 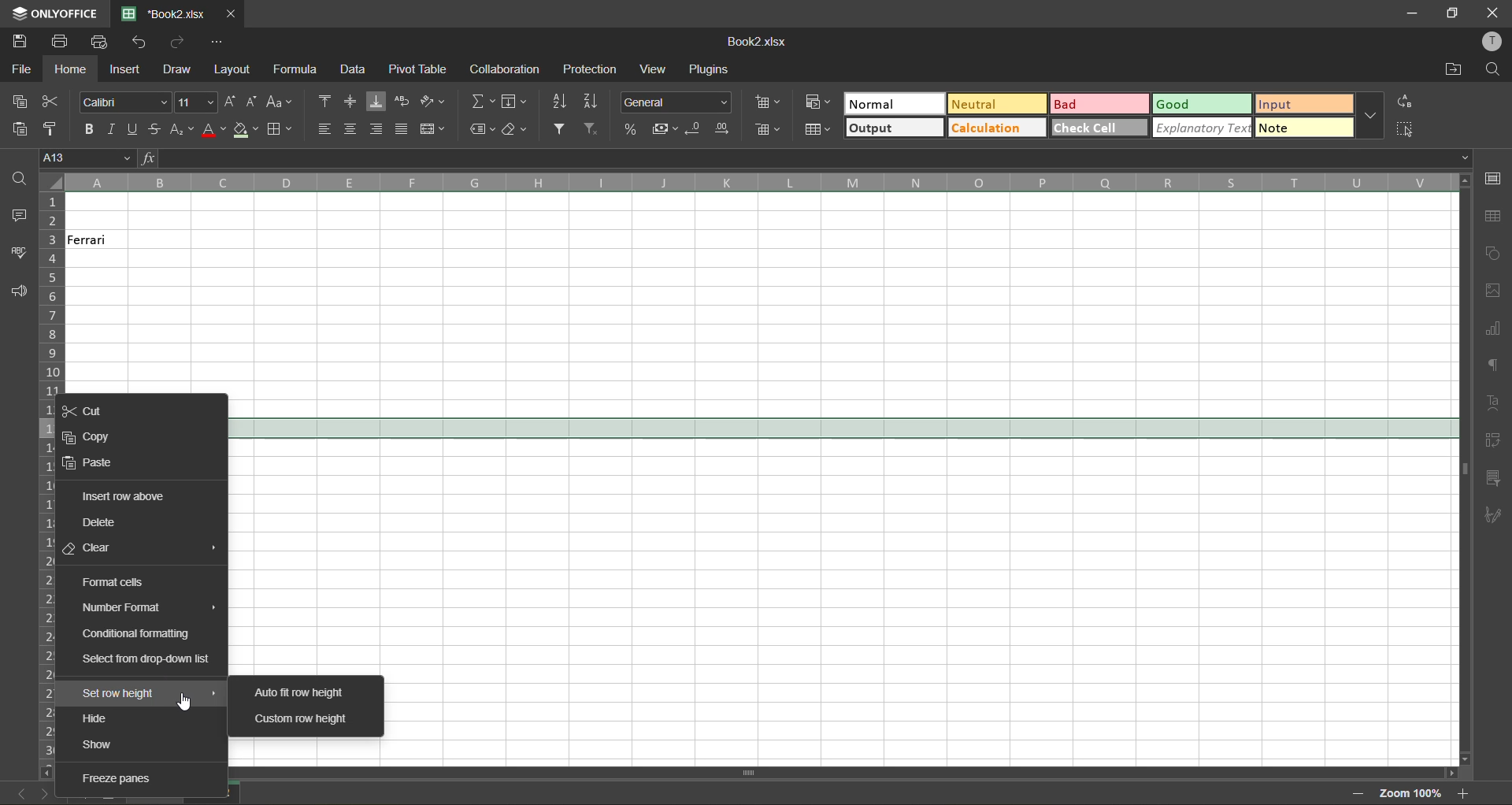 What do you see at coordinates (16, 217) in the screenshot?
I see `comments` at bounding box center [16, 217].